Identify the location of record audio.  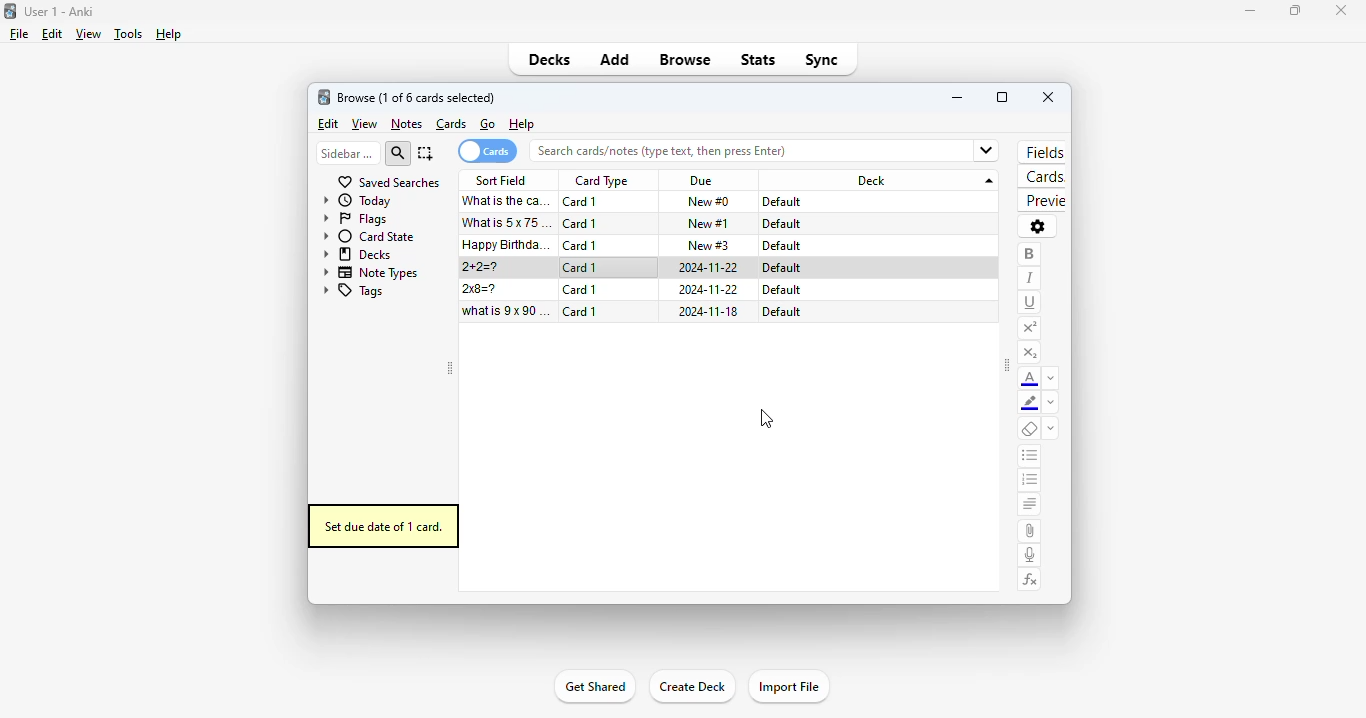
(1030, 555).